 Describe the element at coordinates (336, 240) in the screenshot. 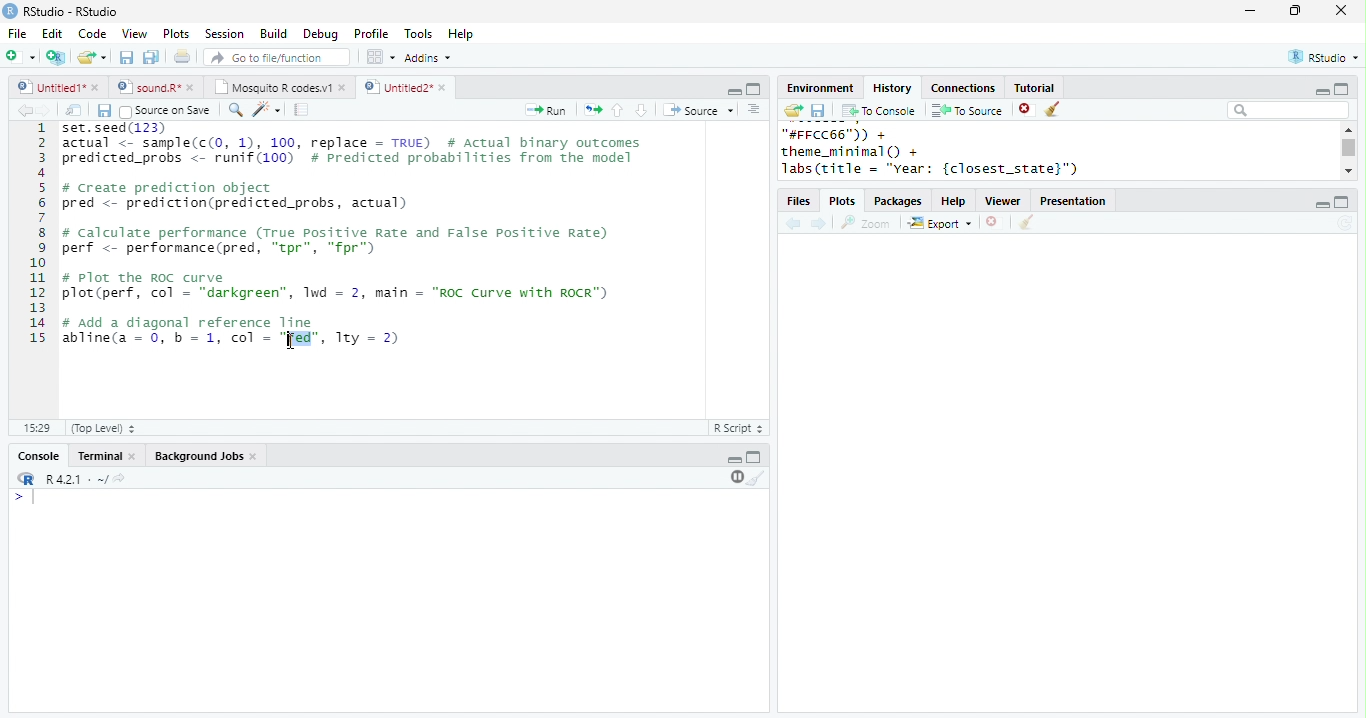

I see `# calculate performance (True Positive Rate and False Positive Rate)
perf <- performance(pred, “tpr", “fpr")` at that location.